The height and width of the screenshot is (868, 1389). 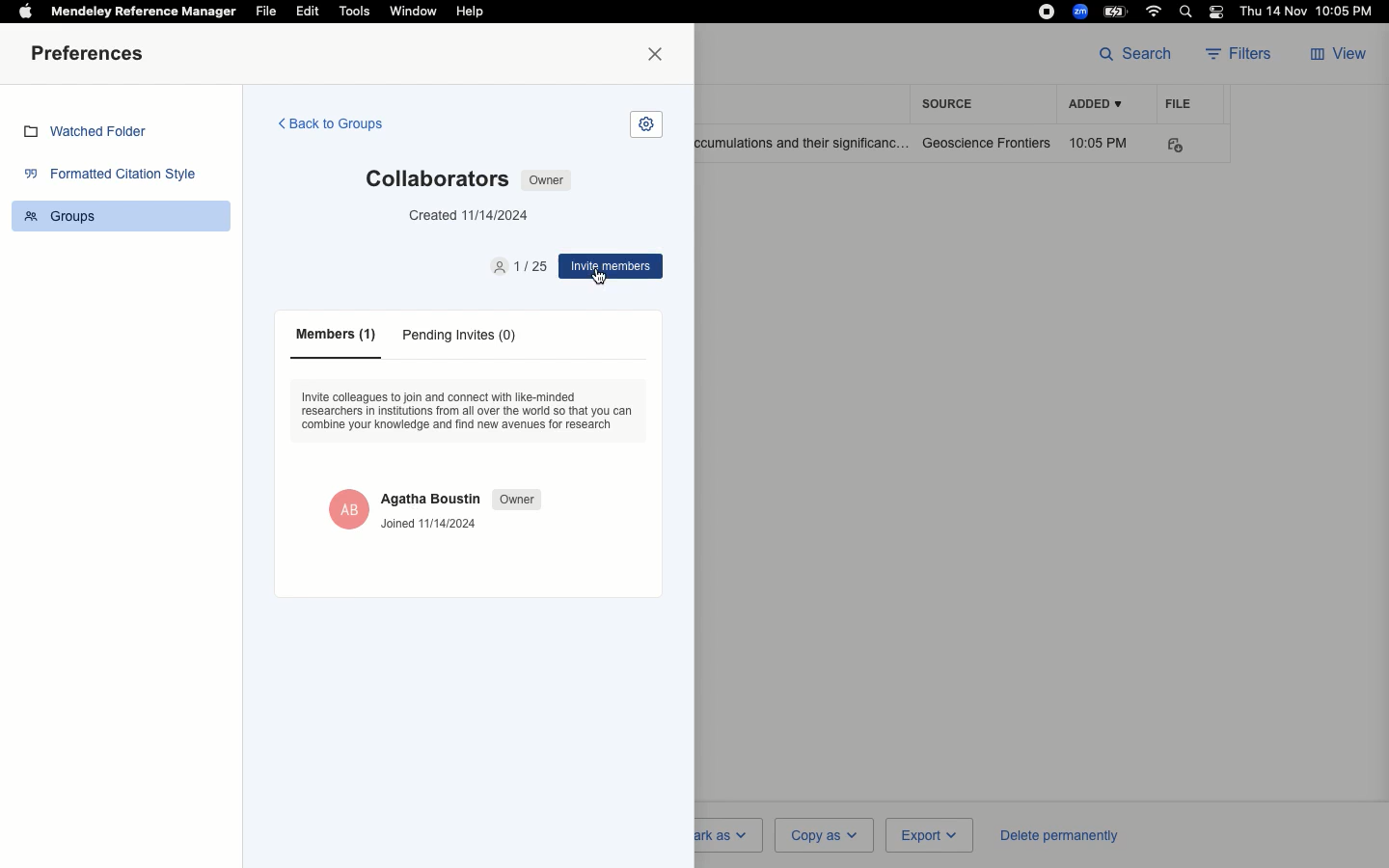 I want to click on Export, so click(x=927, y=836).